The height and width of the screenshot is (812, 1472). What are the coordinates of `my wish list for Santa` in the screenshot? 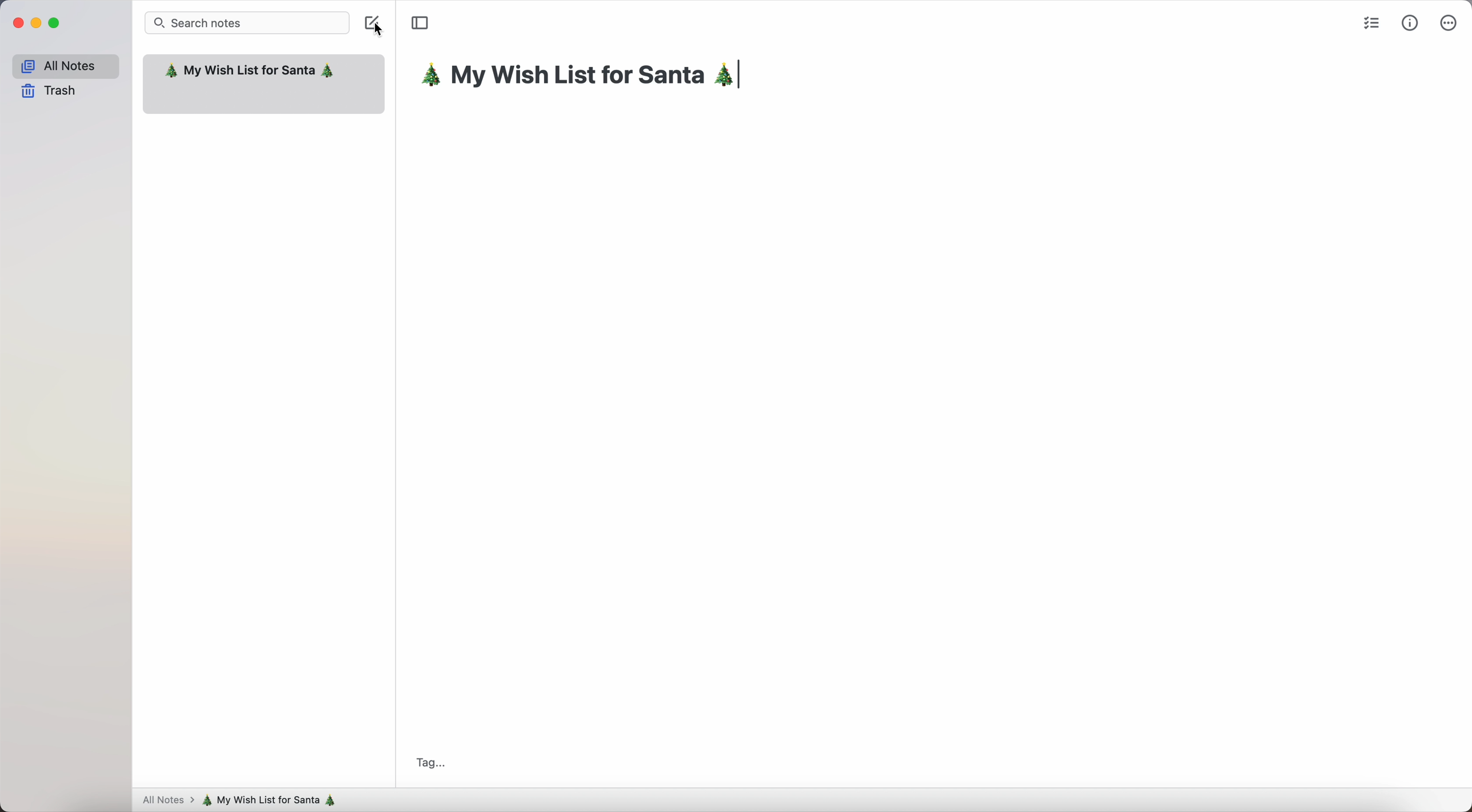 It's located at (585, 77).